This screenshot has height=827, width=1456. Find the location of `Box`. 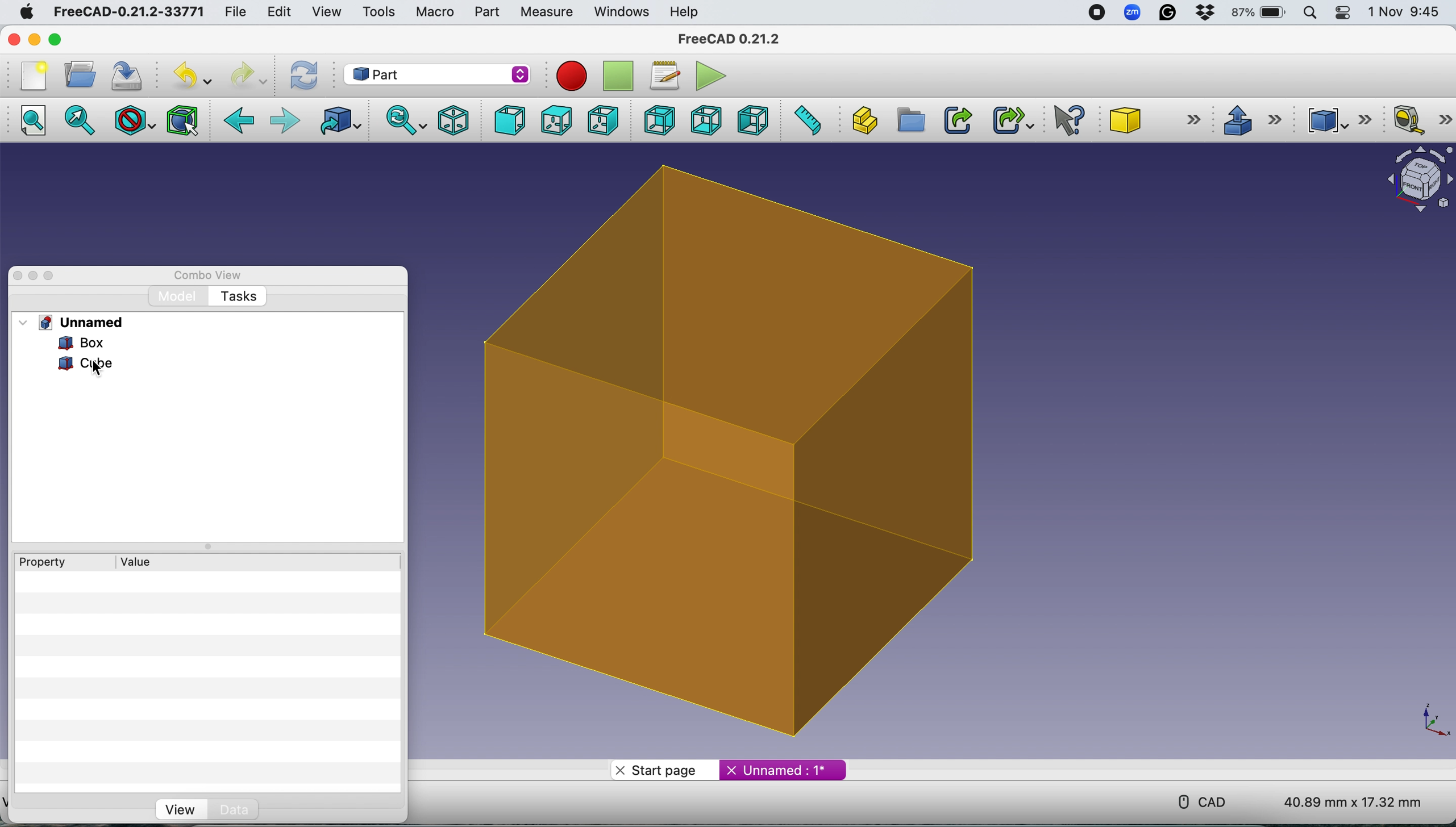

Box is located at coordinates (744, 455).